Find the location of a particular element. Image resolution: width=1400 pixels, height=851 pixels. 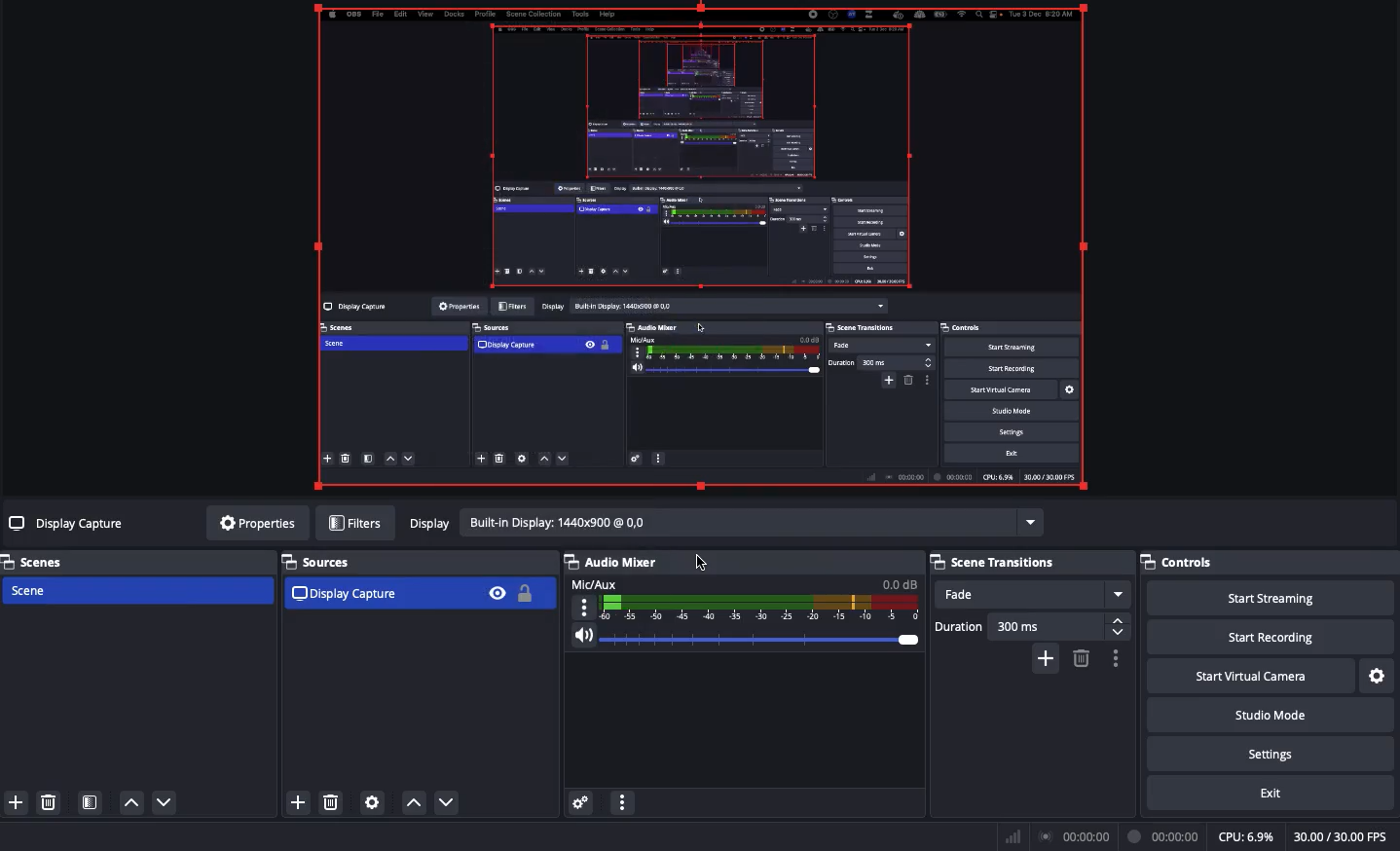

Scaled to fit screen is located at coordinates (699, 250).